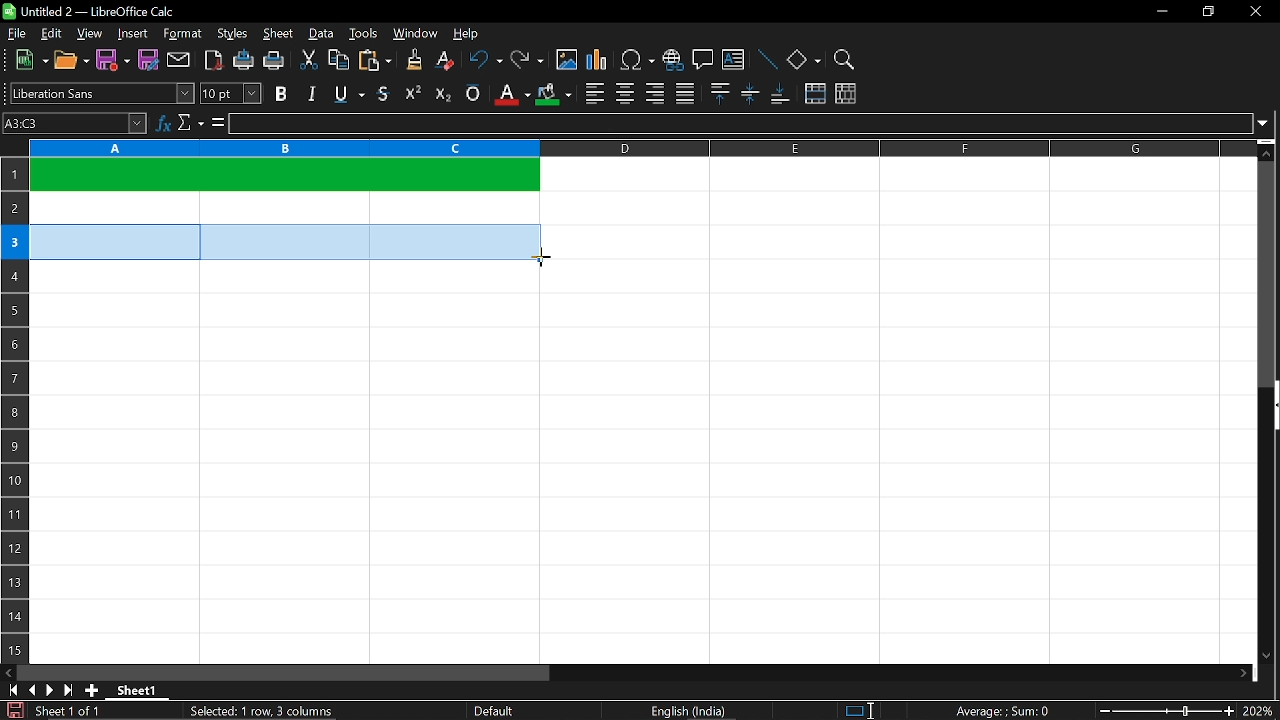  What do you see at coordinates (474, 32) in the screenshot?
I see `help` at bounding box center [474, 32].